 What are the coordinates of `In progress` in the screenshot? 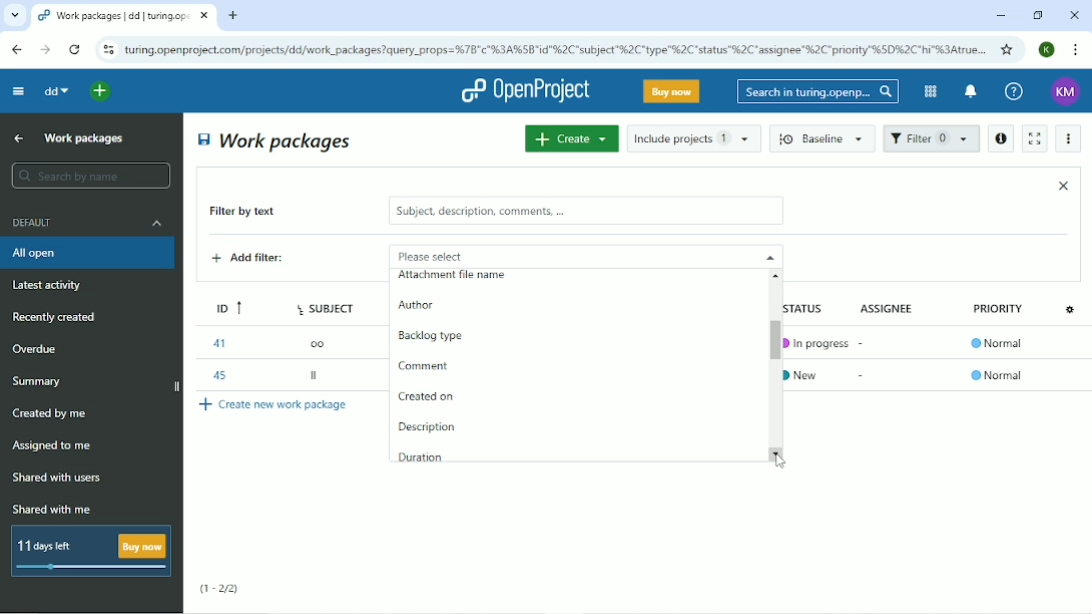 It's located at (816, 343).